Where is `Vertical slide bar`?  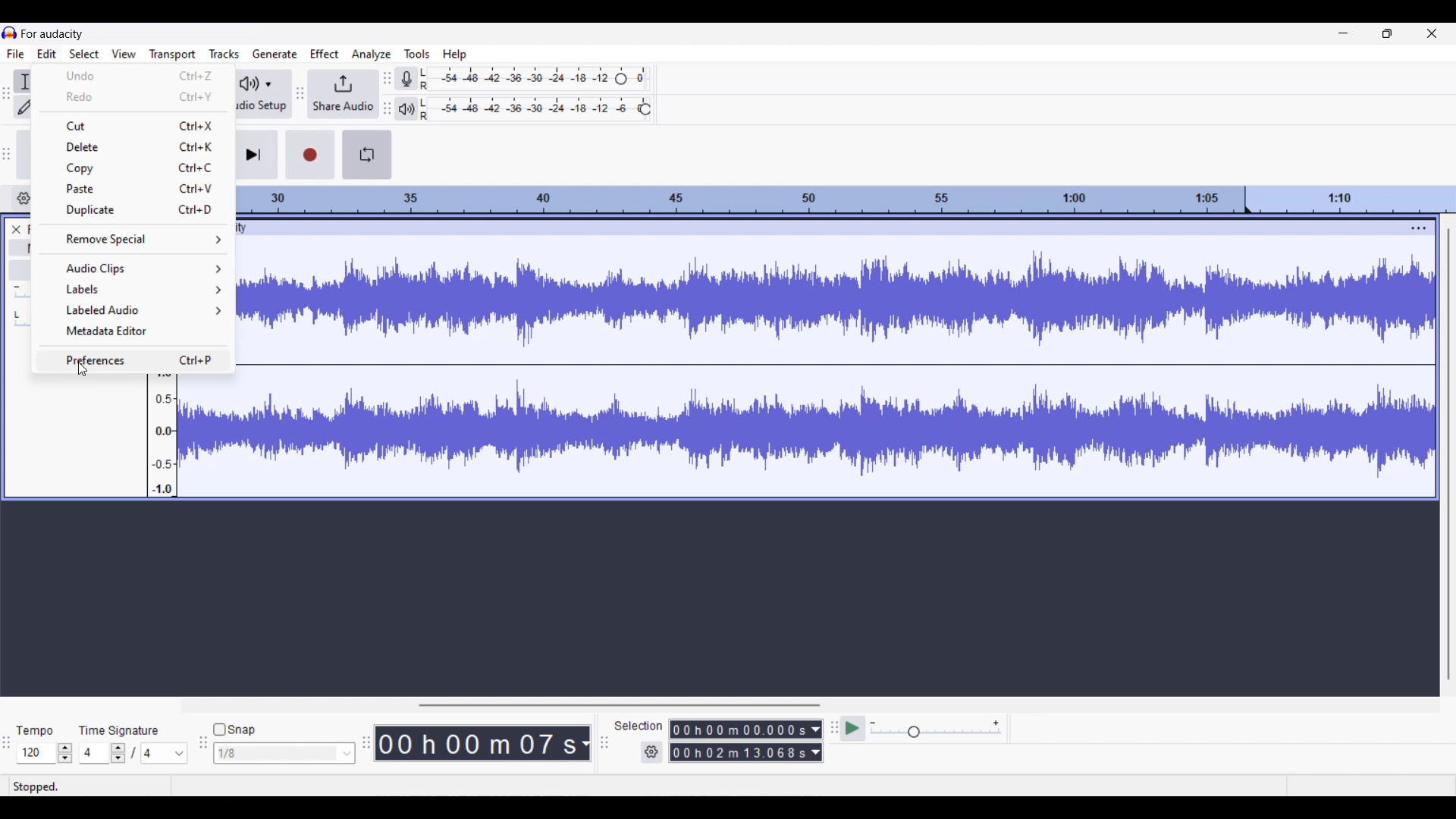
Vertical slide bar is located at coordinates (1449, 454).